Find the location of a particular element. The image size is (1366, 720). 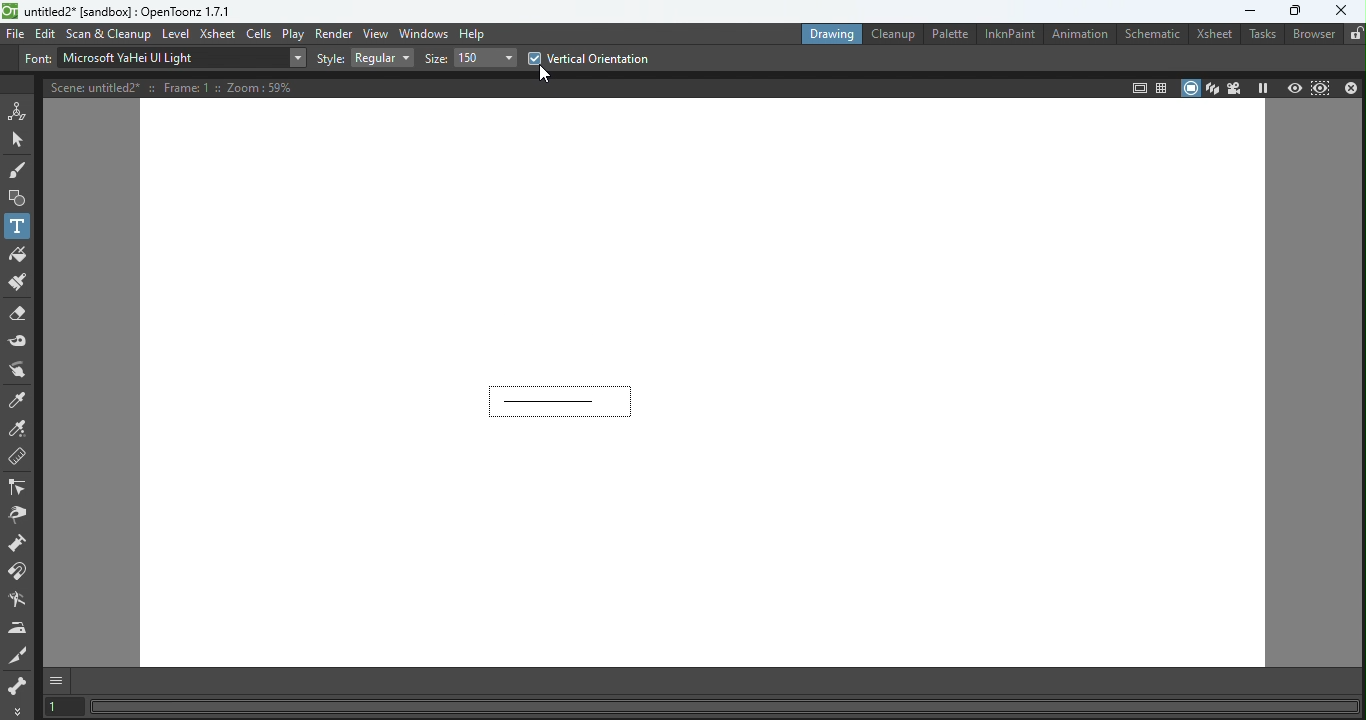

Style is located at coordinates (332, 58).